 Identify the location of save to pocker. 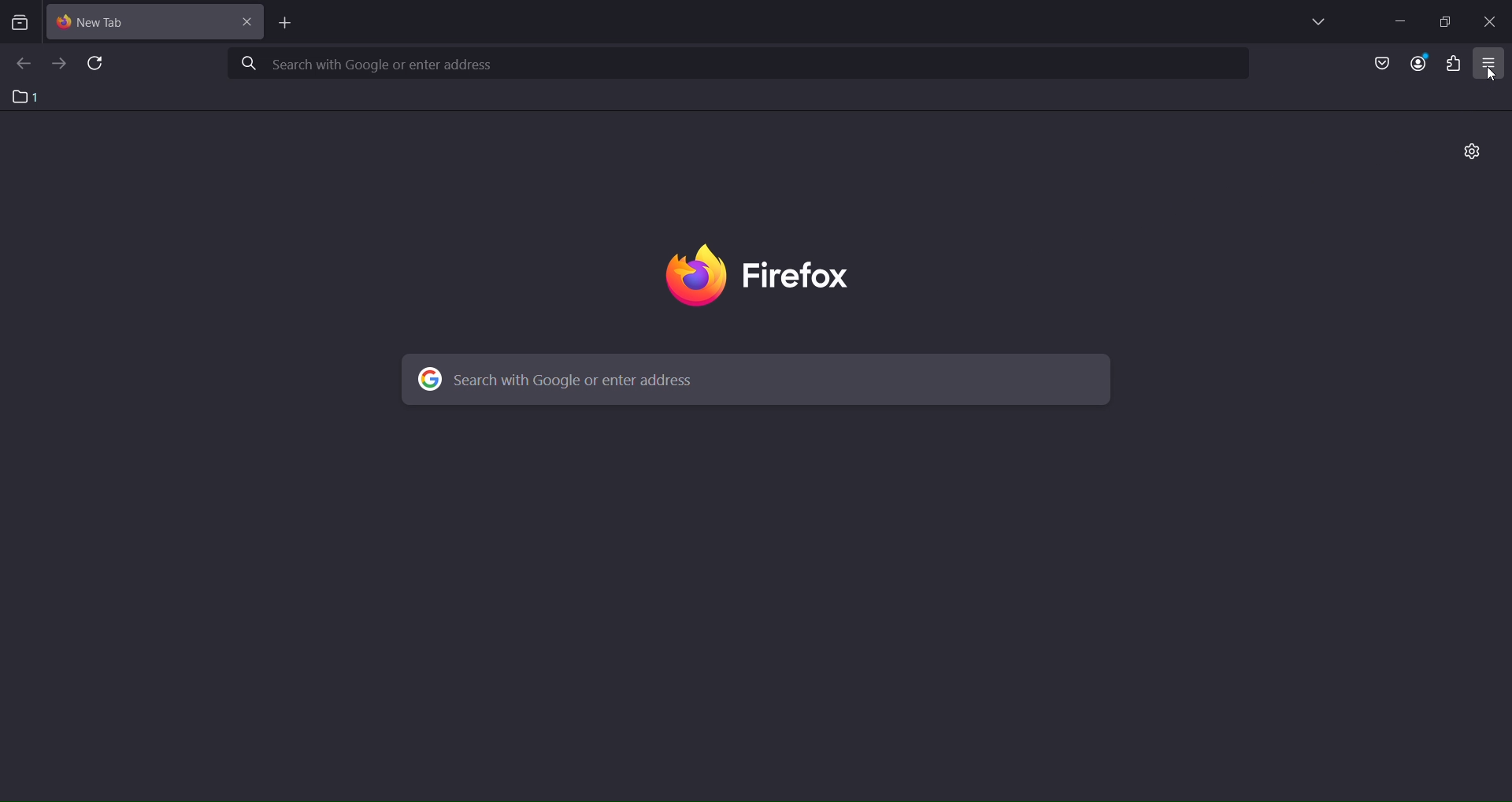
(1381, 64).